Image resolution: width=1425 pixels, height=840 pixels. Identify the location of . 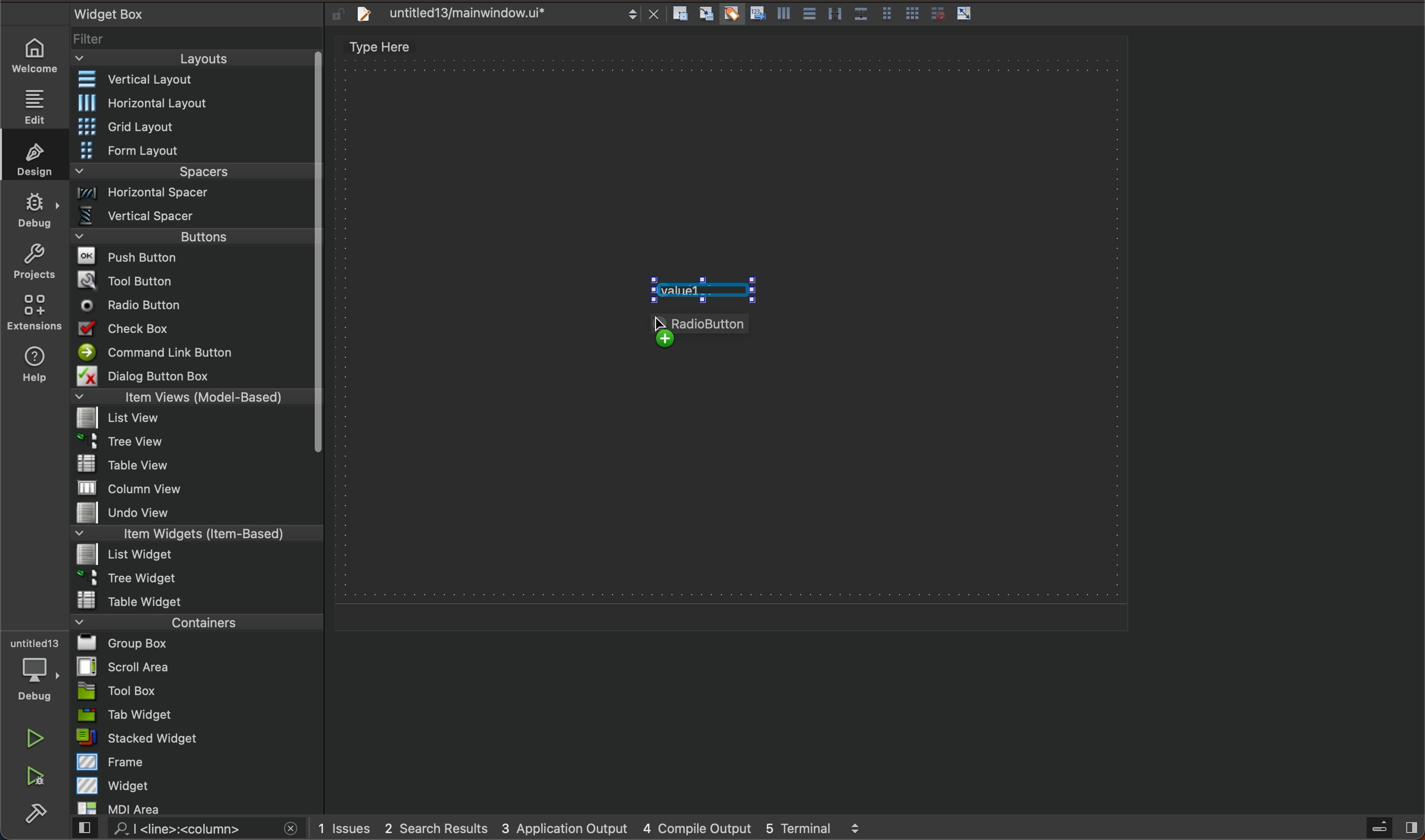
(193, 556).